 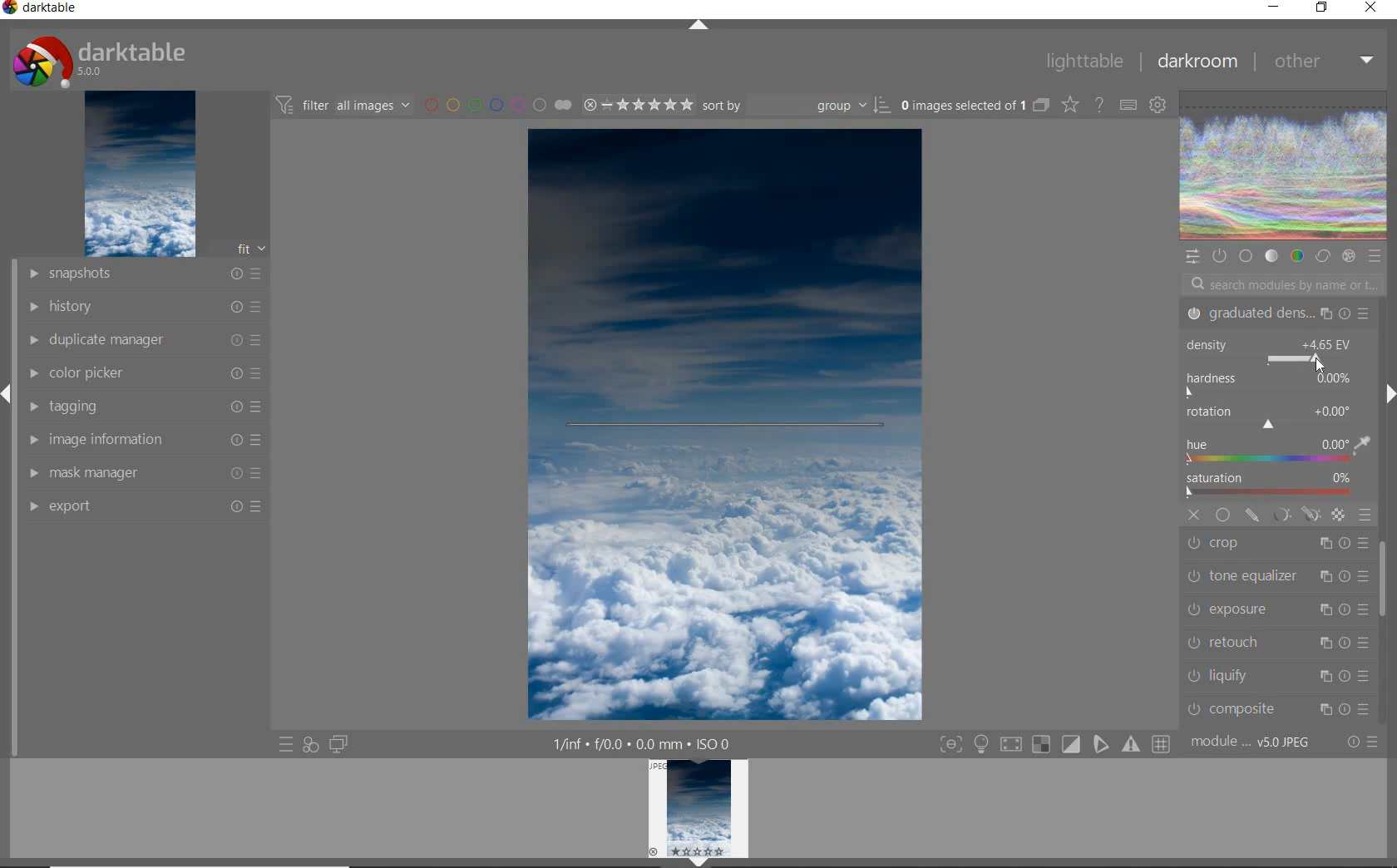 I want to click on DEFINE KEYBOARD SHORTCUT, so click(x=1128, y=106).